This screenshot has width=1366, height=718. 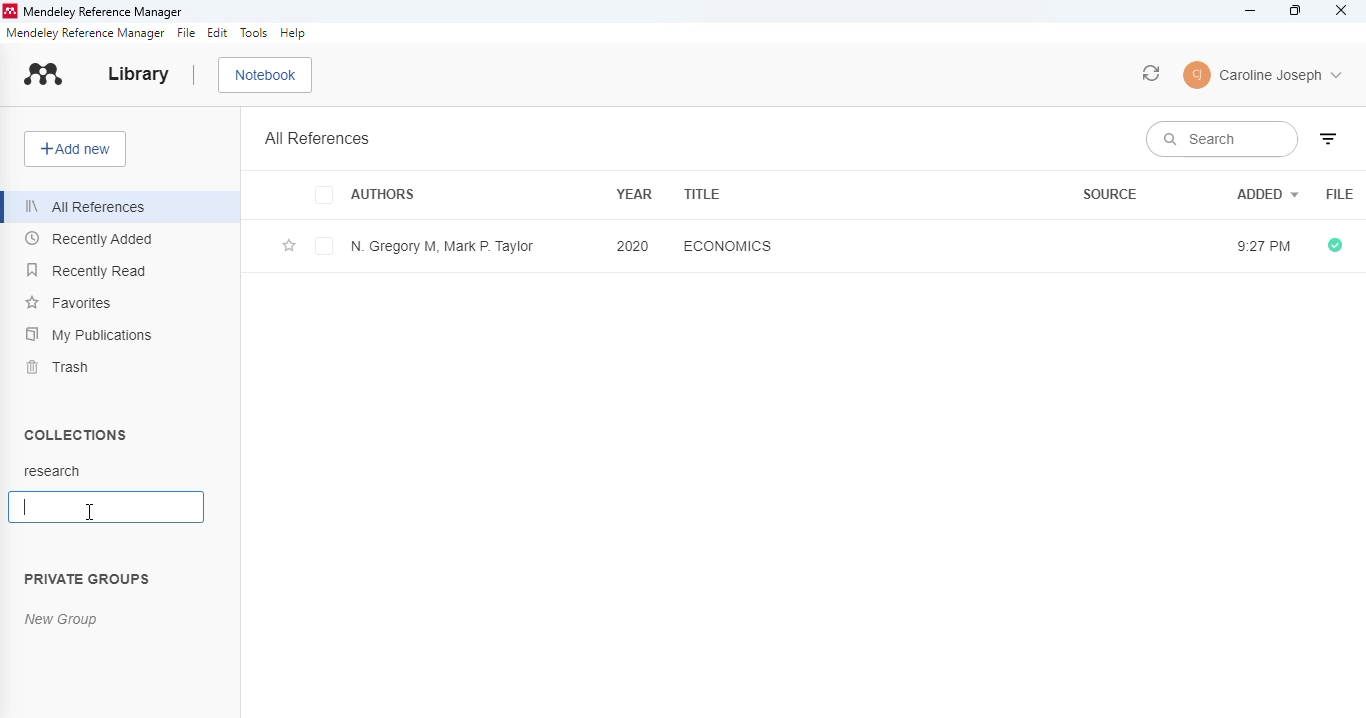 What do you see at coordinates (1335, 246) in the screenshot?
I see `all files downloaded` at bounding box center [1335, 246].